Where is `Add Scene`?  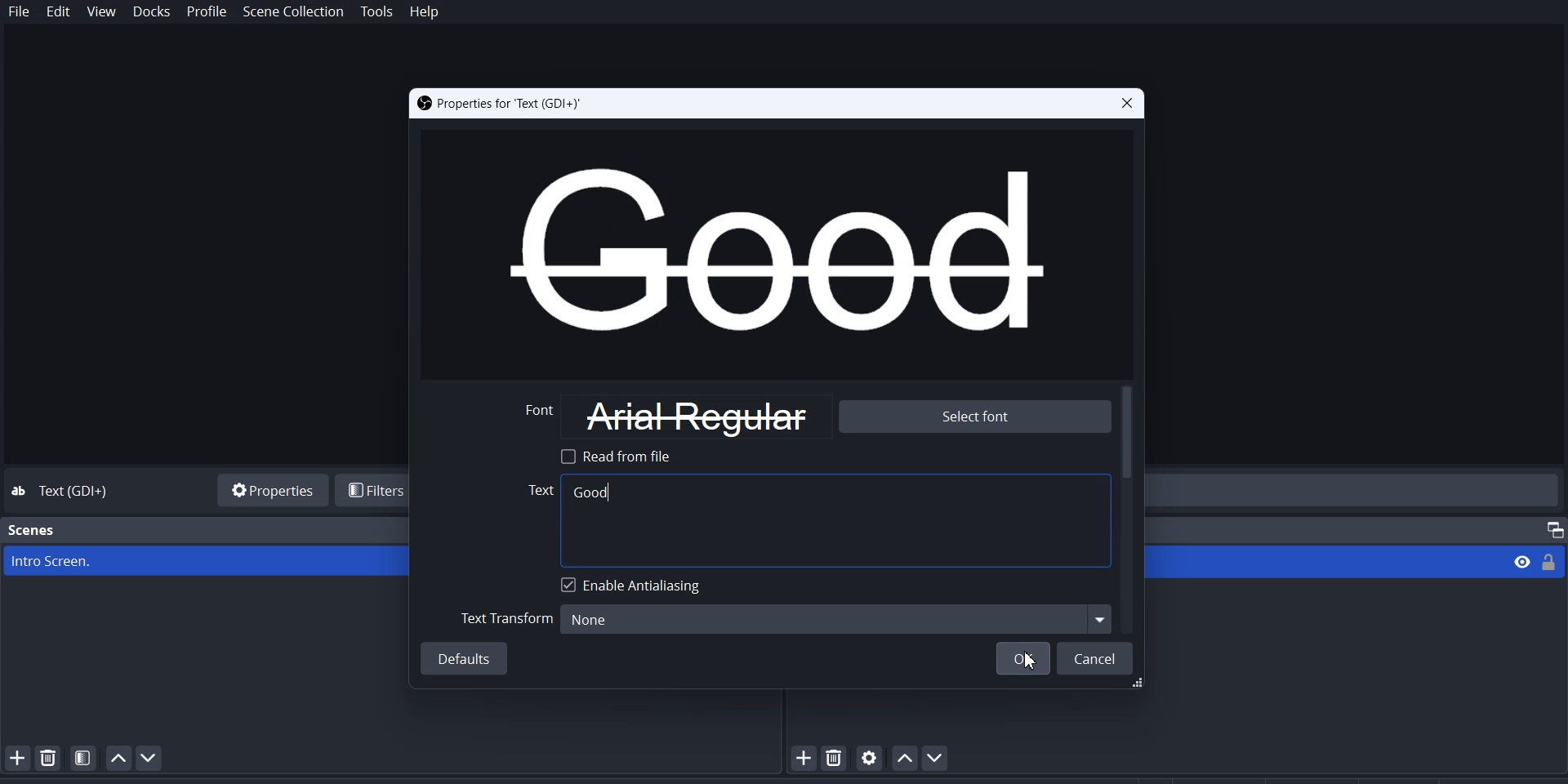
Add Scene is located at coordinates (15, 757).